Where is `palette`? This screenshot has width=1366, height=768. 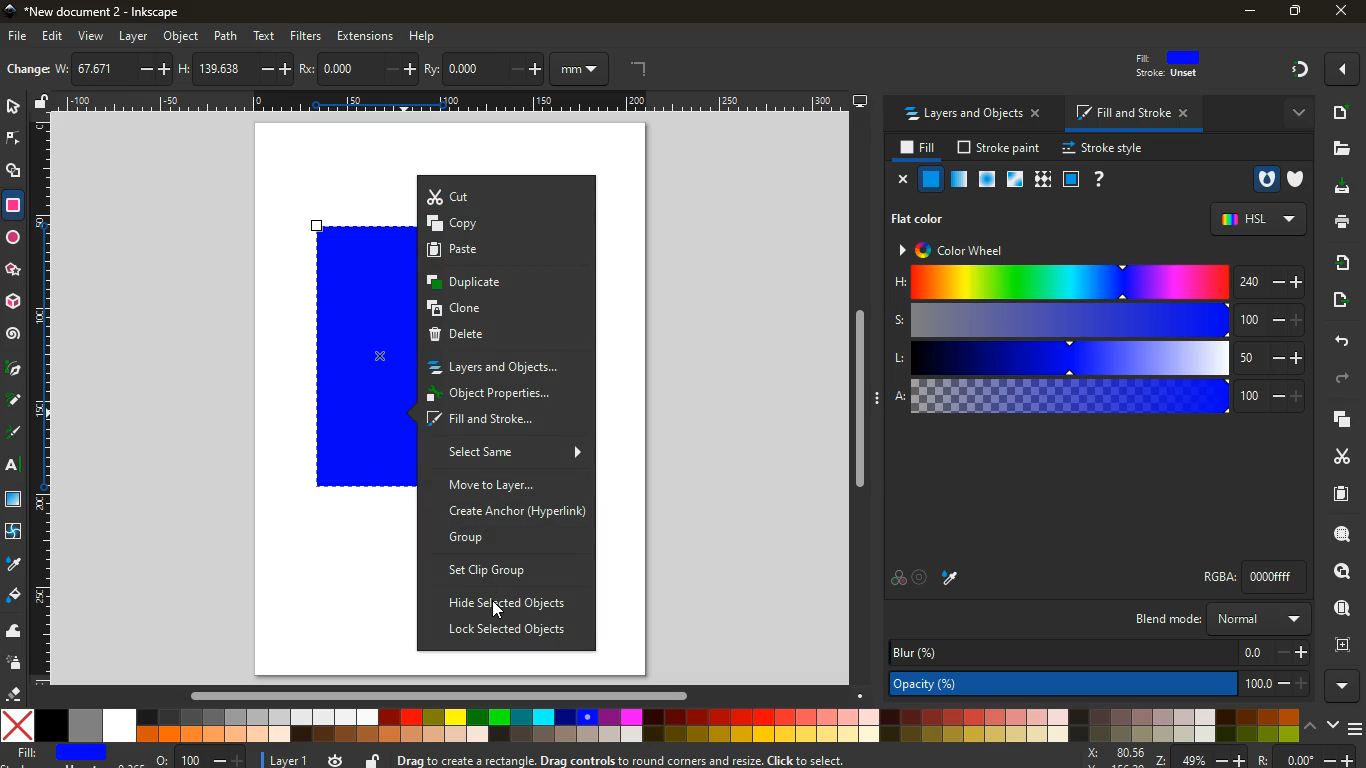
palette is located at coordinates (897, 580).